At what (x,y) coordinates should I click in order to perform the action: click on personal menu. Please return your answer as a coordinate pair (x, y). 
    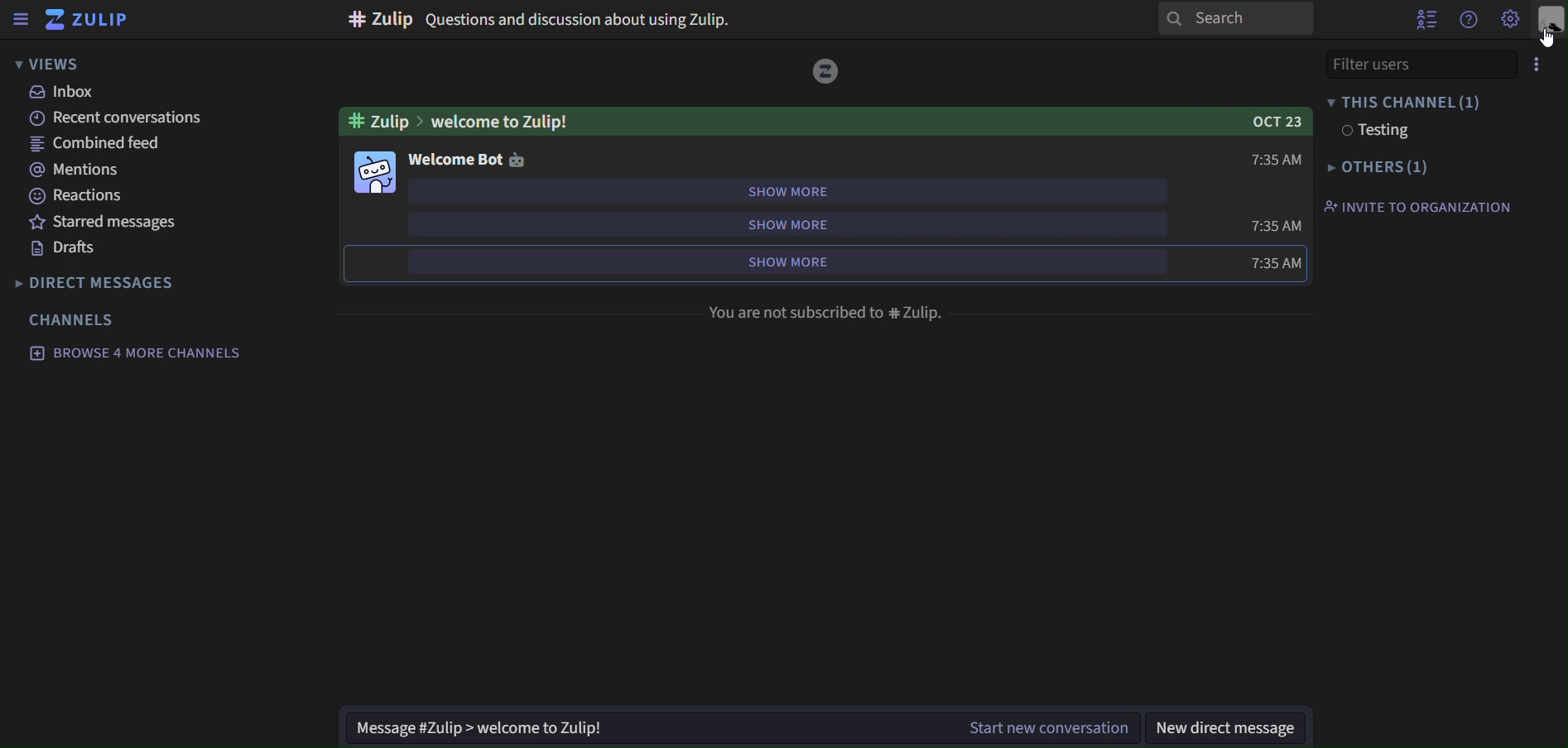
    Looking at the image, I should click on (1551, 20).